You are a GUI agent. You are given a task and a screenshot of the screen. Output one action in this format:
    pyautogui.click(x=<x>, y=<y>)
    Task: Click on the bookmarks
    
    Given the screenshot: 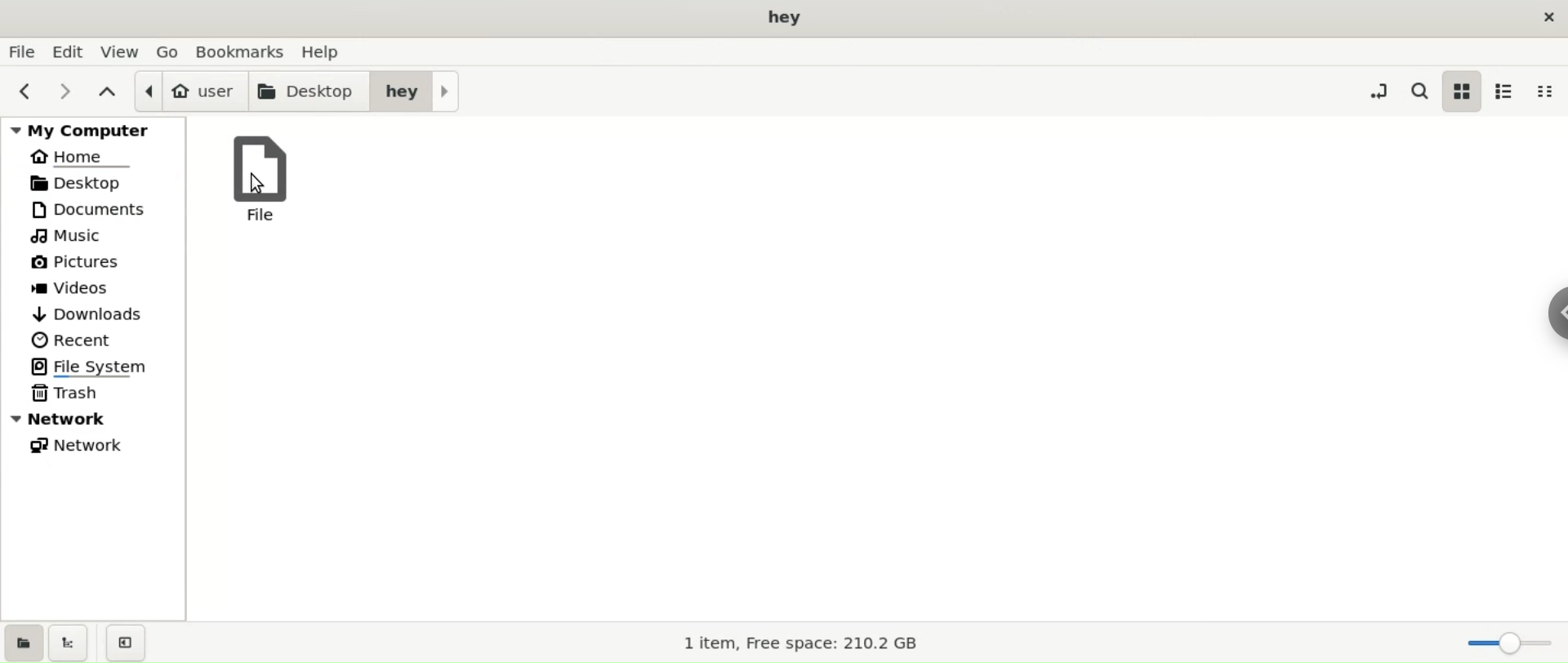 What is the action you would take?
    pyautogui.click(x=243, y=51)
    